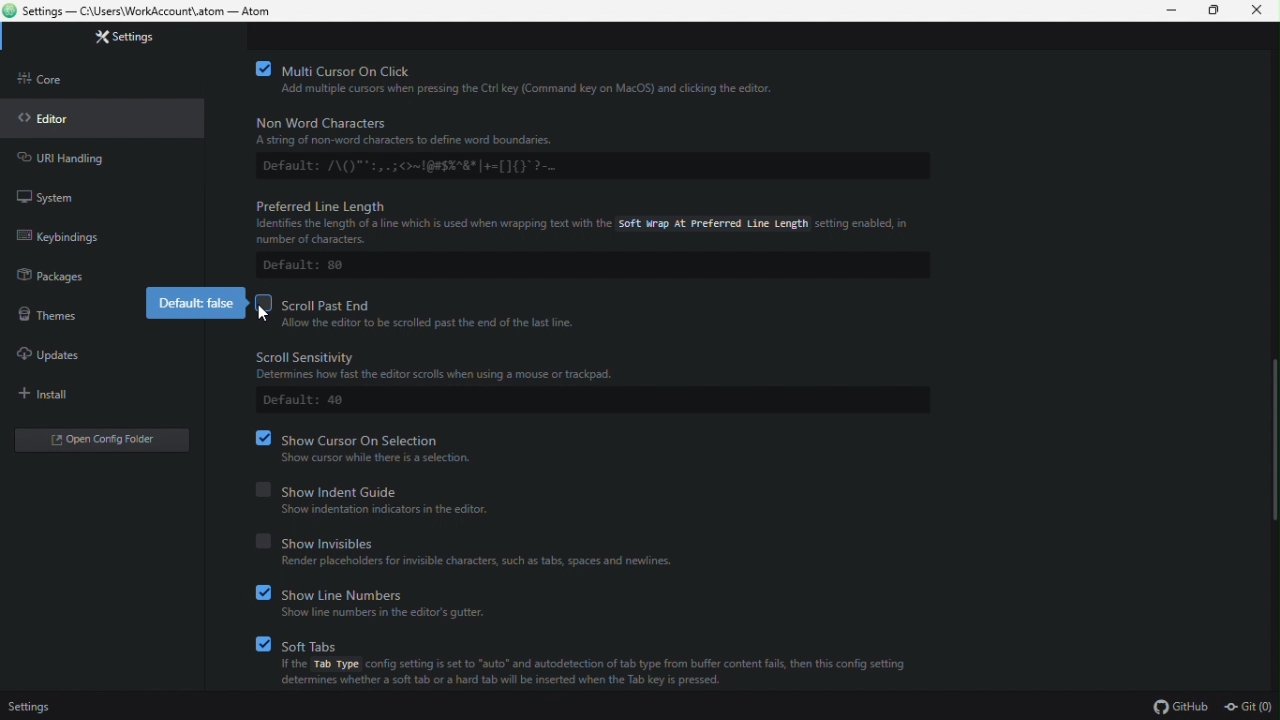  Describe the element at coordinates (482, 543) in the screenshot. I see `show invisibles` at that location.